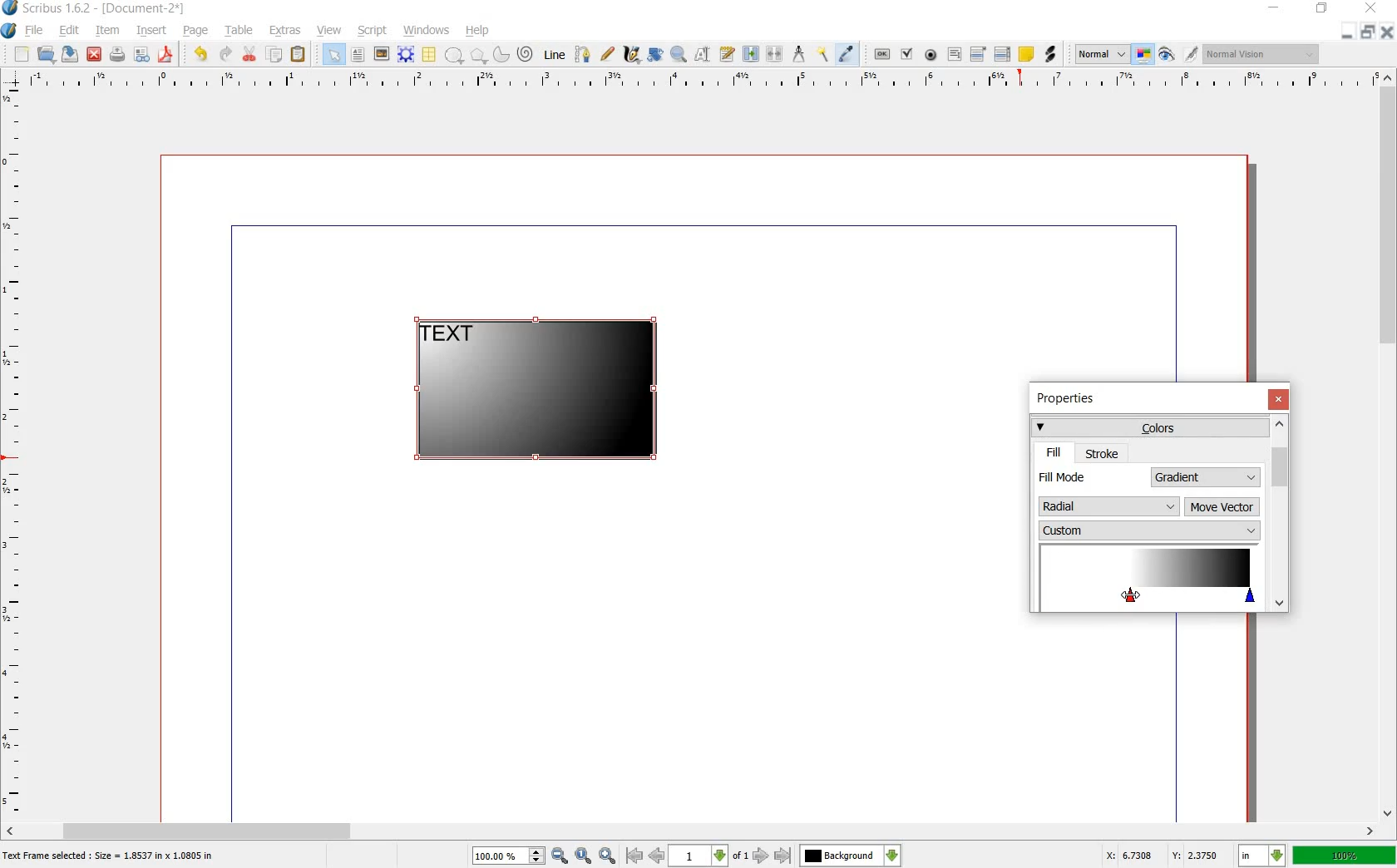 This screenshot has height=868, width=1397. I want to click on scribus 1.6.2 - [document-2*], so click(110, 9).